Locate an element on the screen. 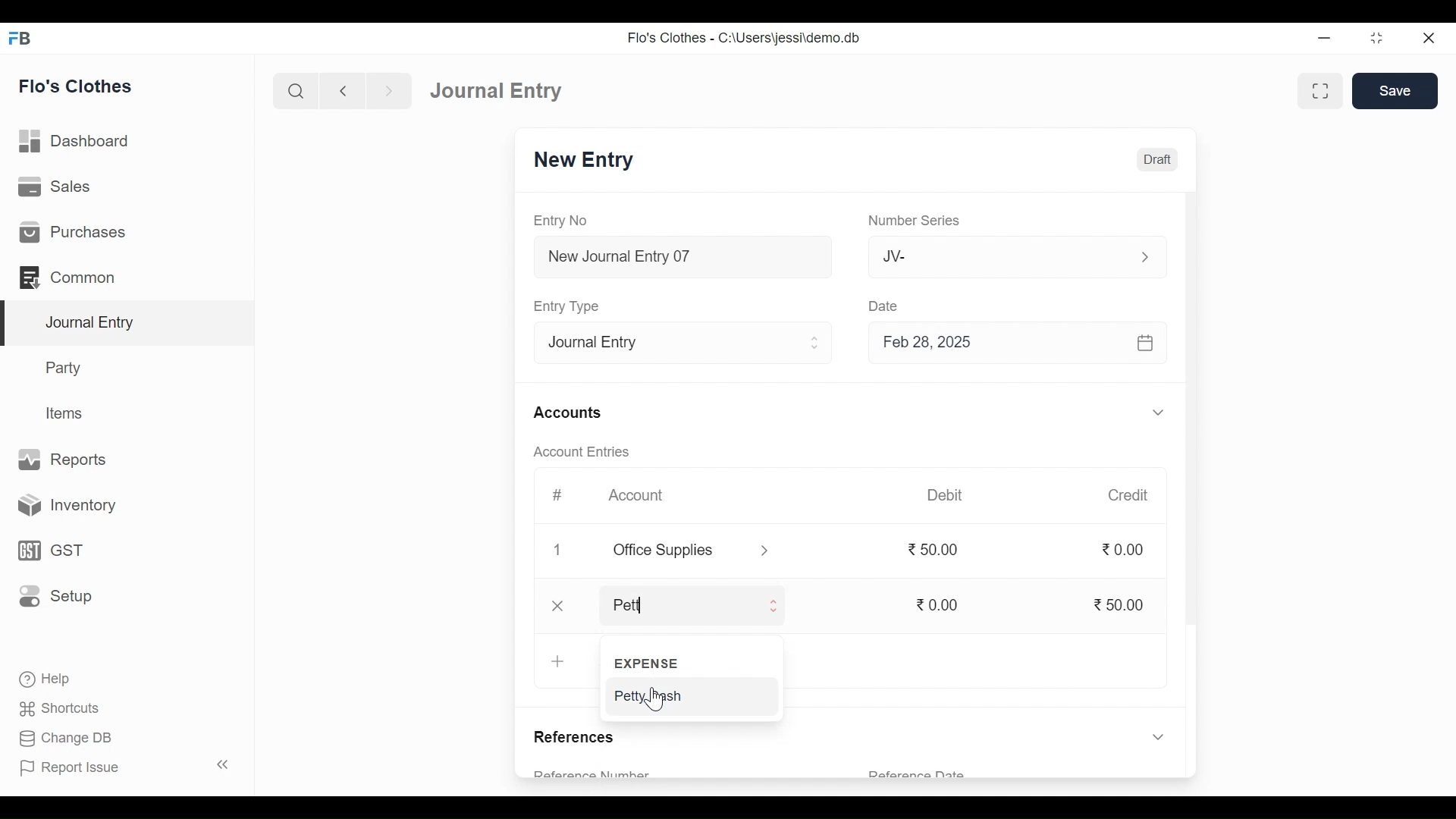  Journal Entry is located at coordinates (502, 90).